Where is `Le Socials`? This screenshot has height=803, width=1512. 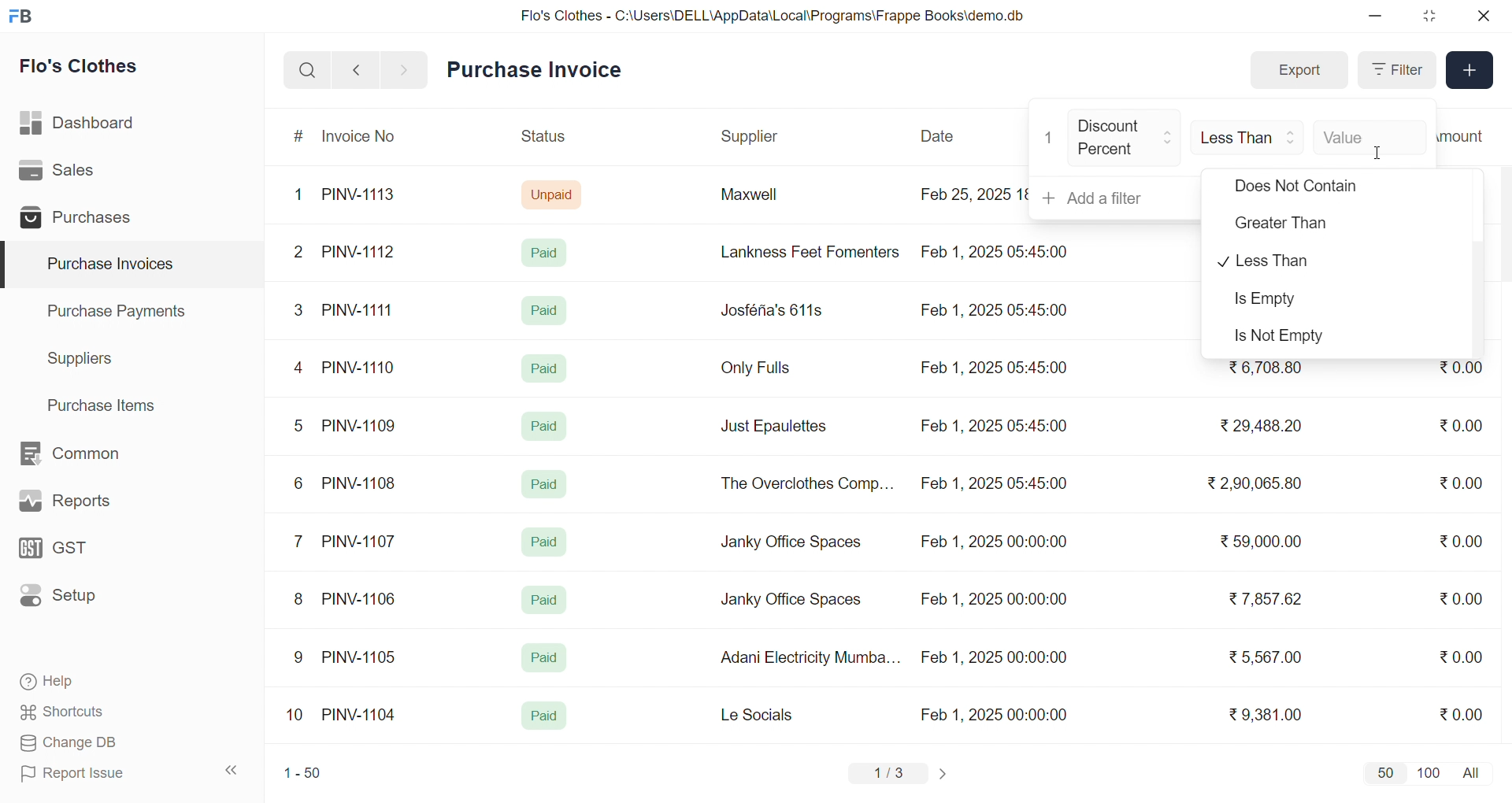
Le Socials is located at coordinates (770, 714).